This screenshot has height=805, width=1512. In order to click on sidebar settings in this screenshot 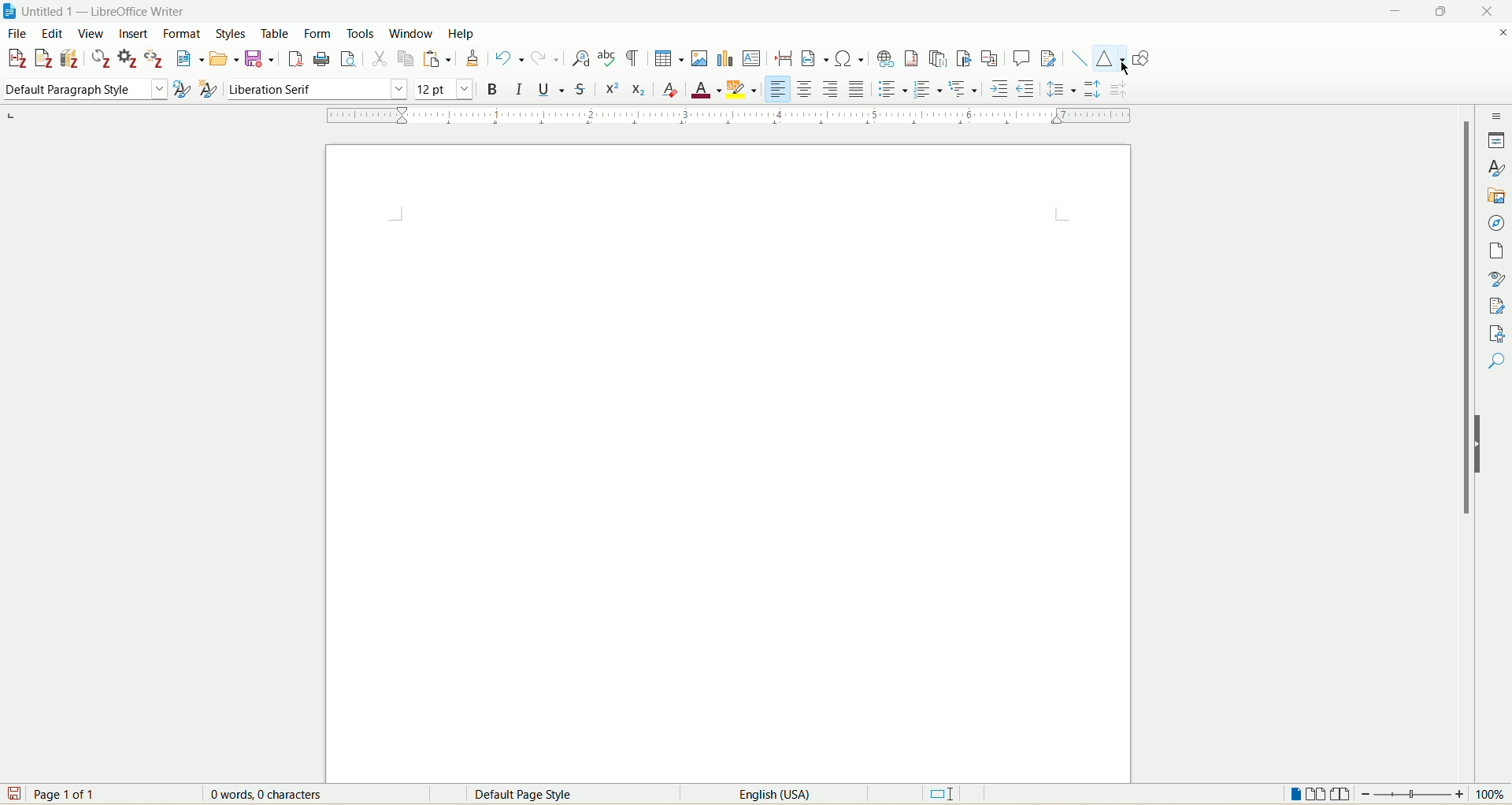, I will do `click(1497, 114)`.